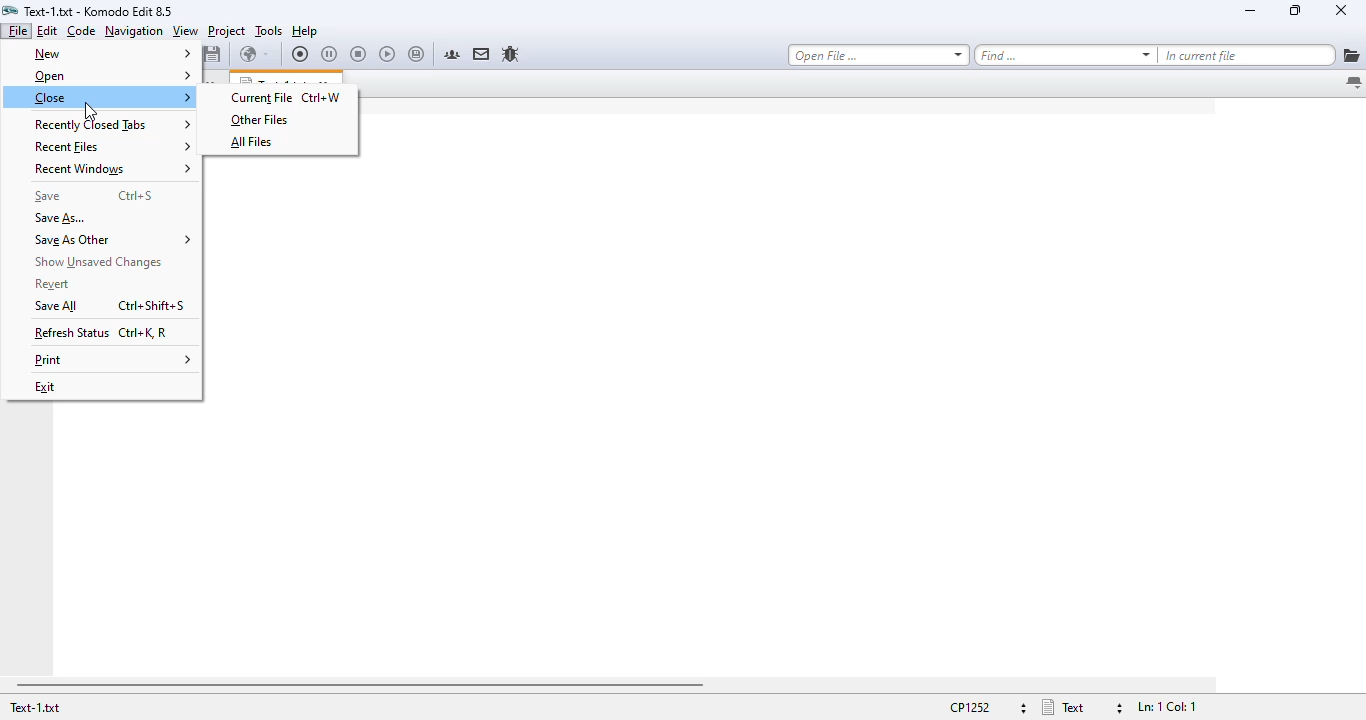  Describe the element at coordinates (18, 30) in the screenshot. I see `file` at that location.